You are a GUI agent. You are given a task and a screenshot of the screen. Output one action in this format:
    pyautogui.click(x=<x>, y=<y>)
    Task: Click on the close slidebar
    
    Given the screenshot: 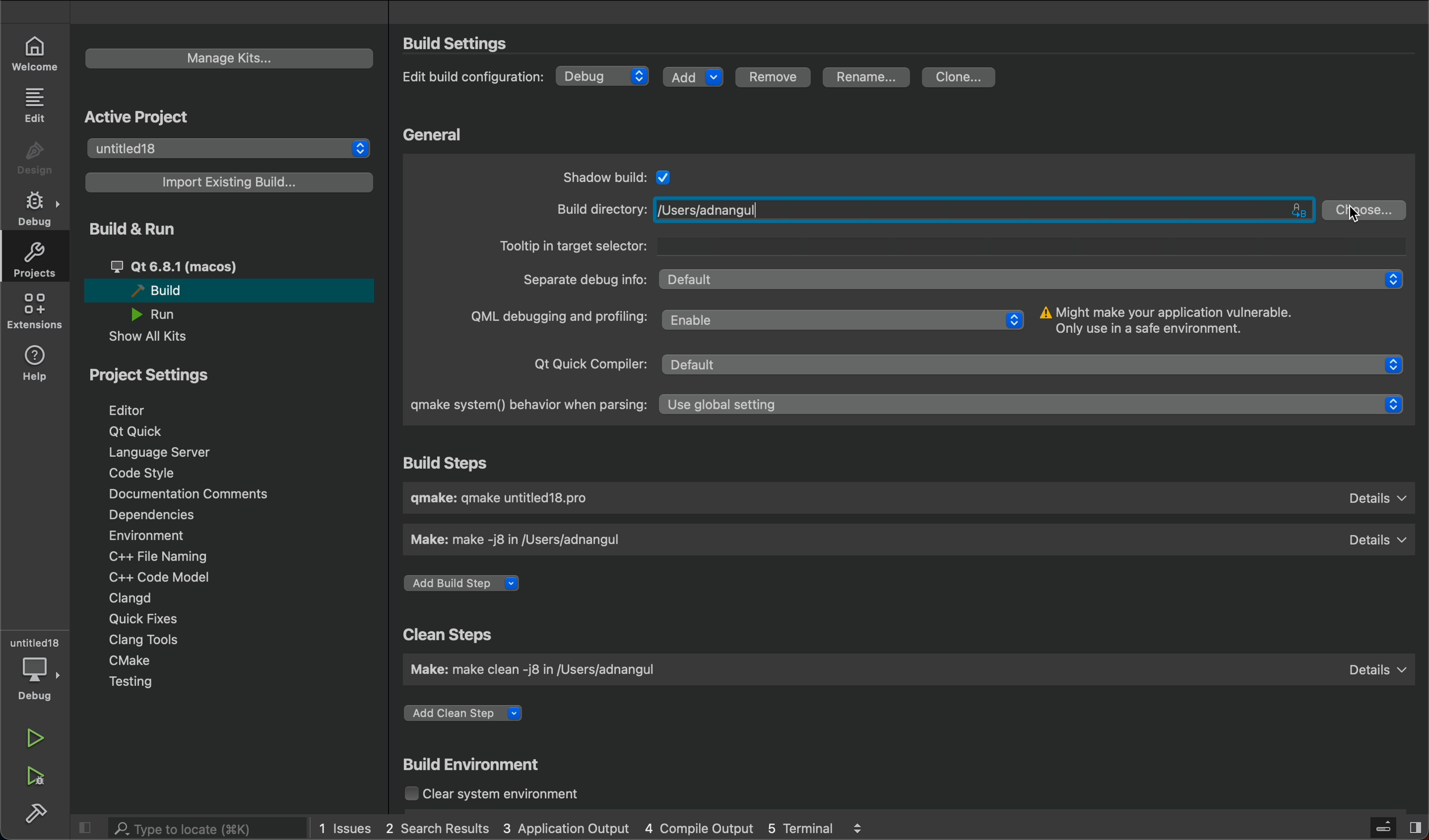 What is the action you would take?
    pyautogui.click(x=1395, y=826)
    